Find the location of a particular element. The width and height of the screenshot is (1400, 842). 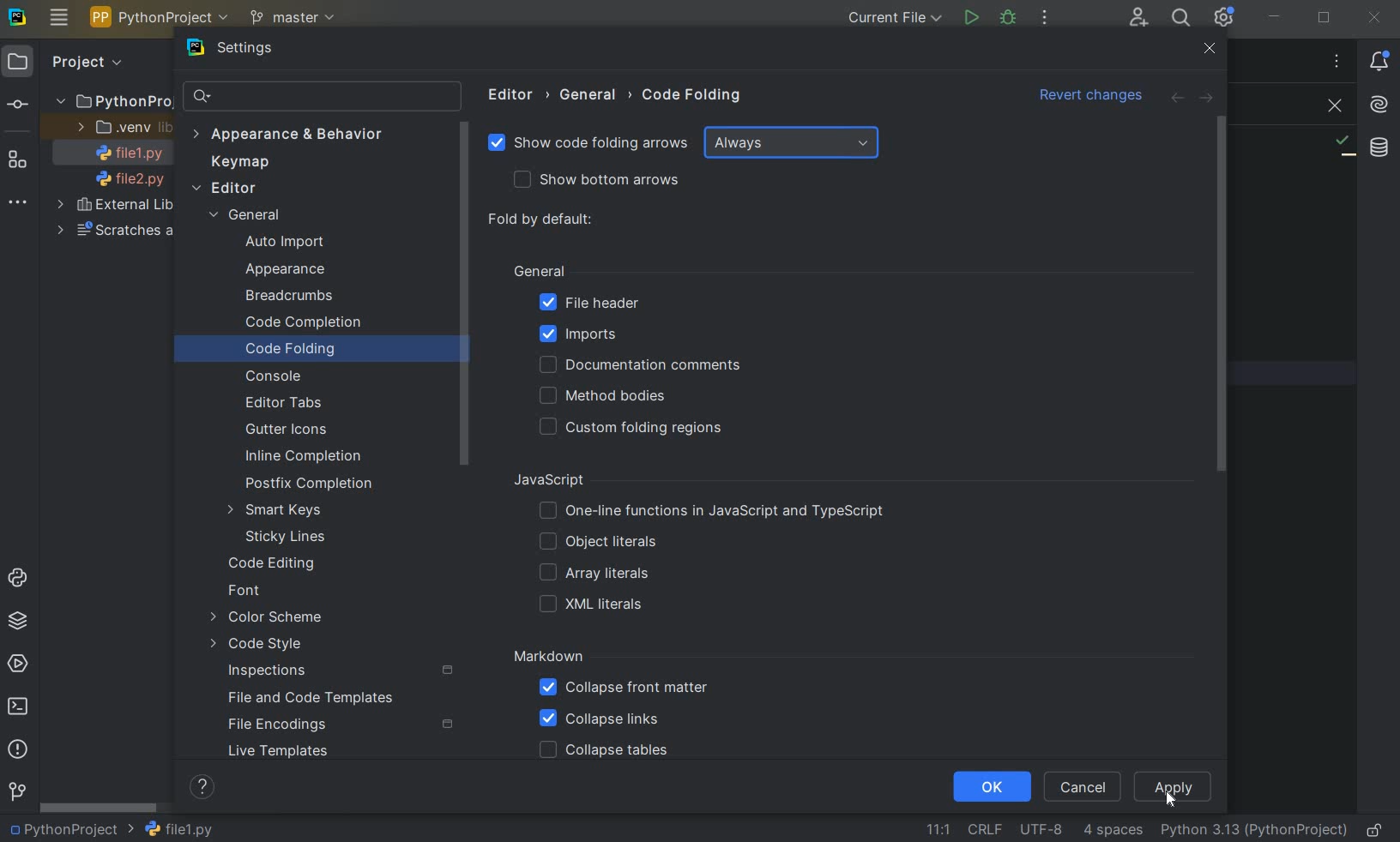

DOCUMENTATION COMMENTS is located at coordinates (638, 365).